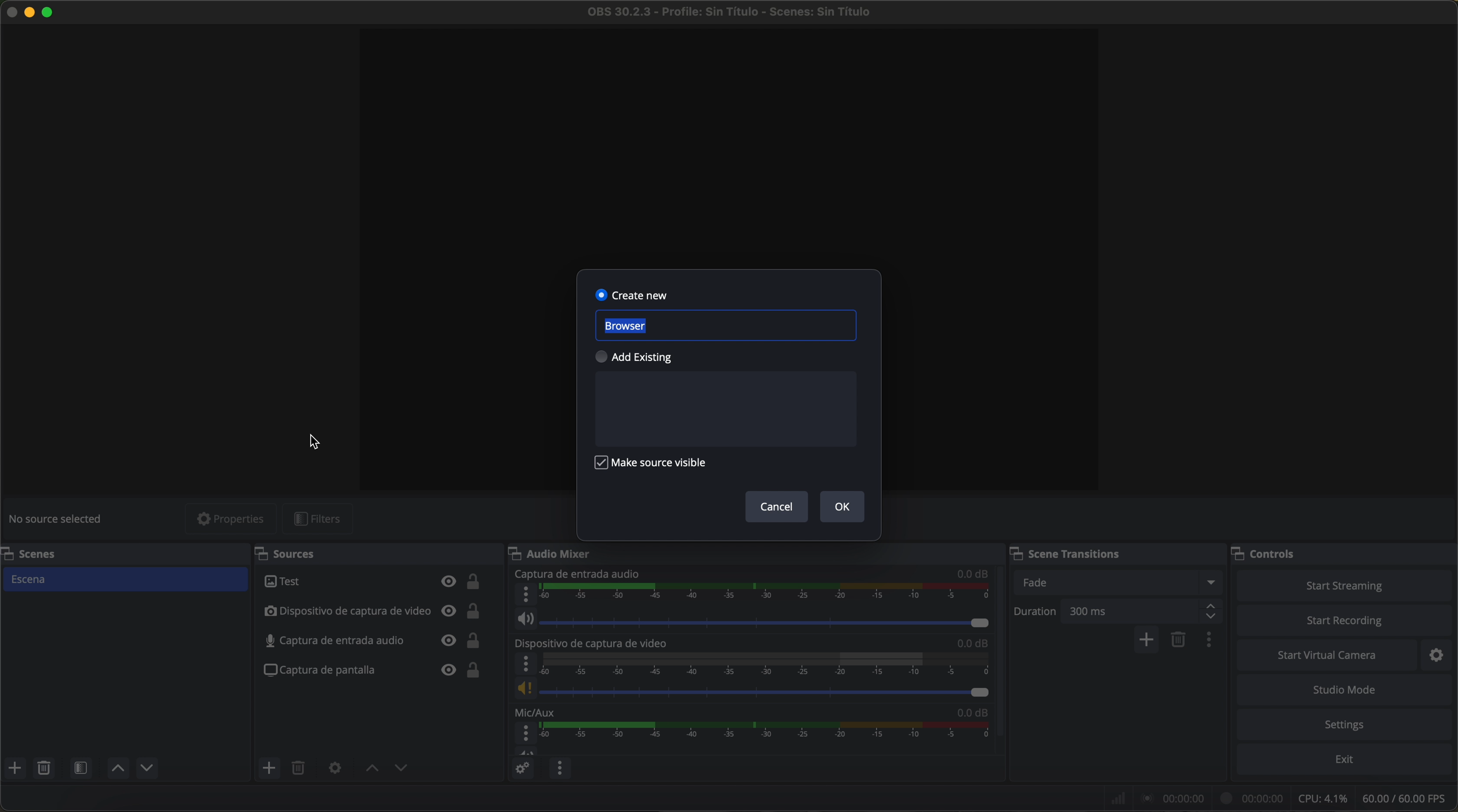 This screenshot has width=1458, height=812. Describe the element at coordinates (80, 767) in the screenshot. I see `open scene filters` at that location.